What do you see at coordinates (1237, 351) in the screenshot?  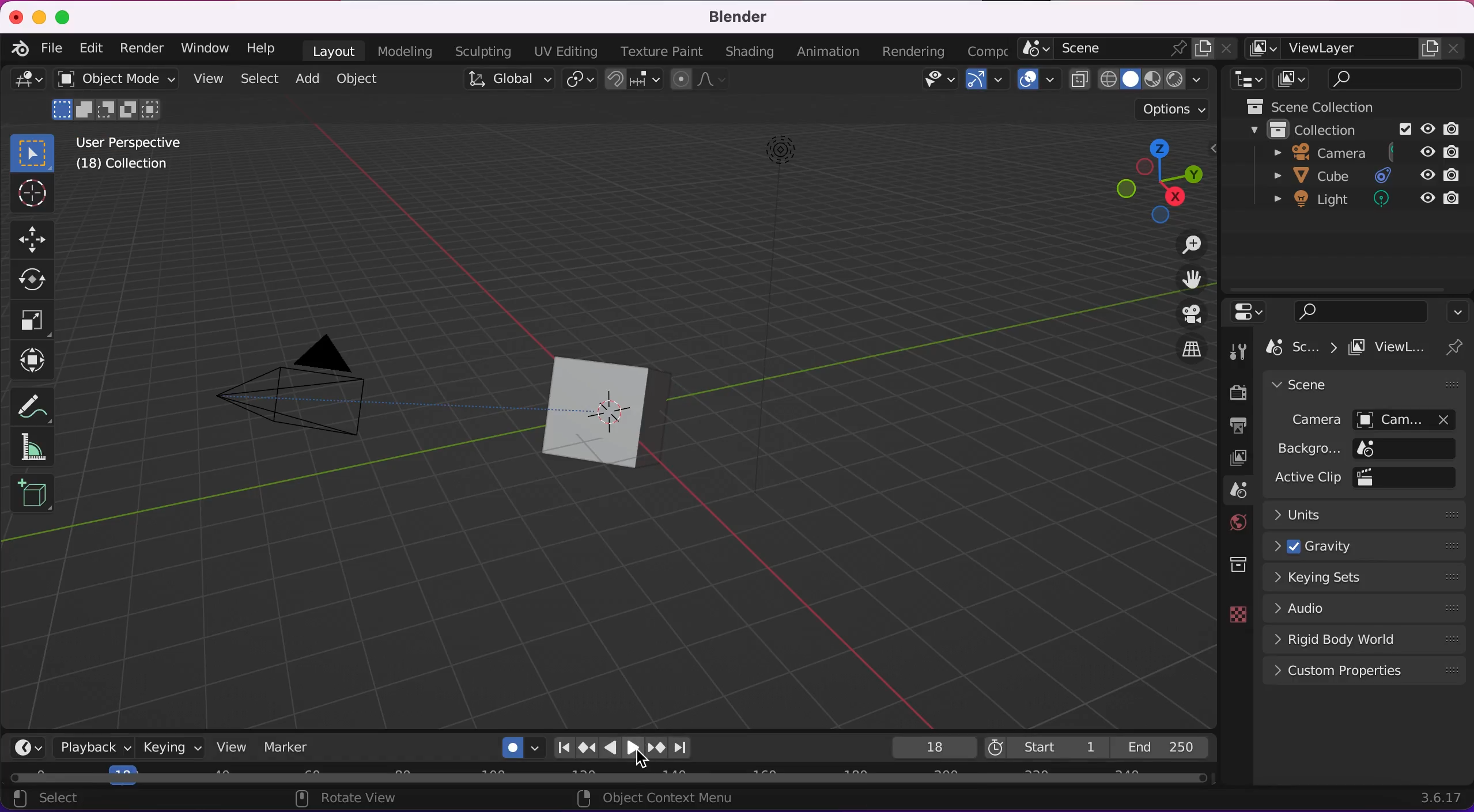 I see `tools` at bounding box center [1237, 351].